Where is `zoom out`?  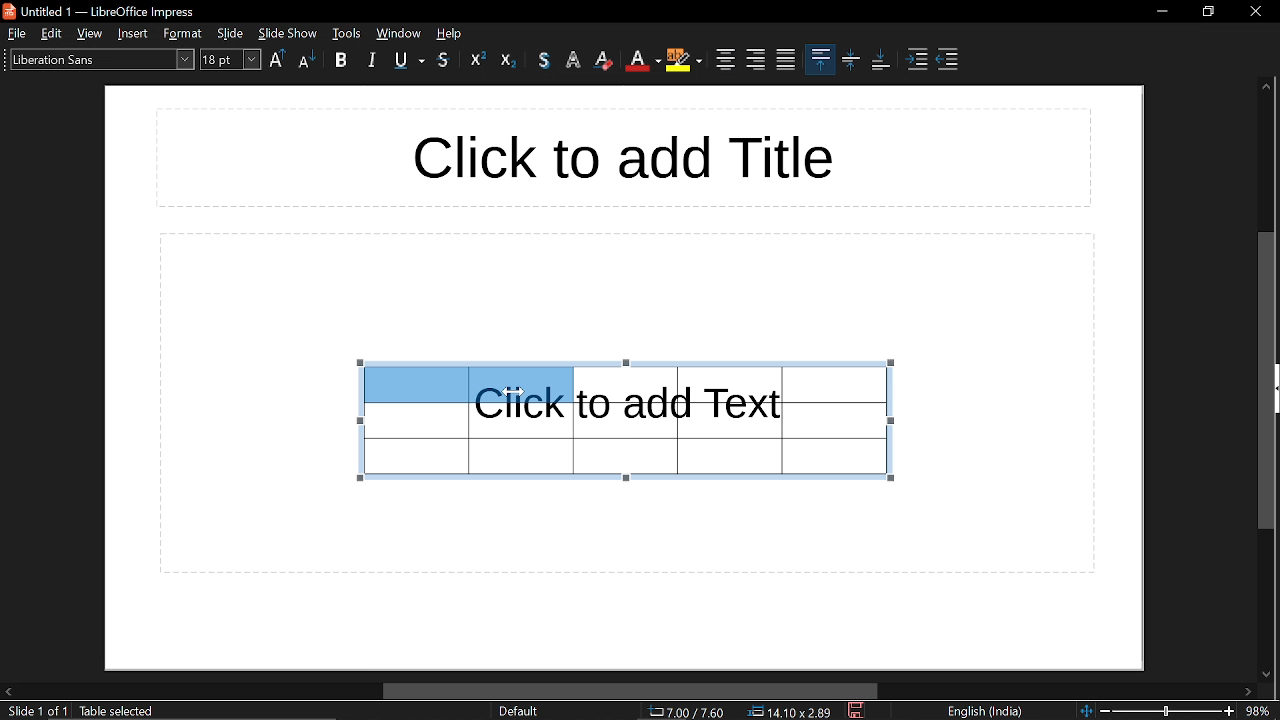
zoom out is located at coordinates (1105, 710).